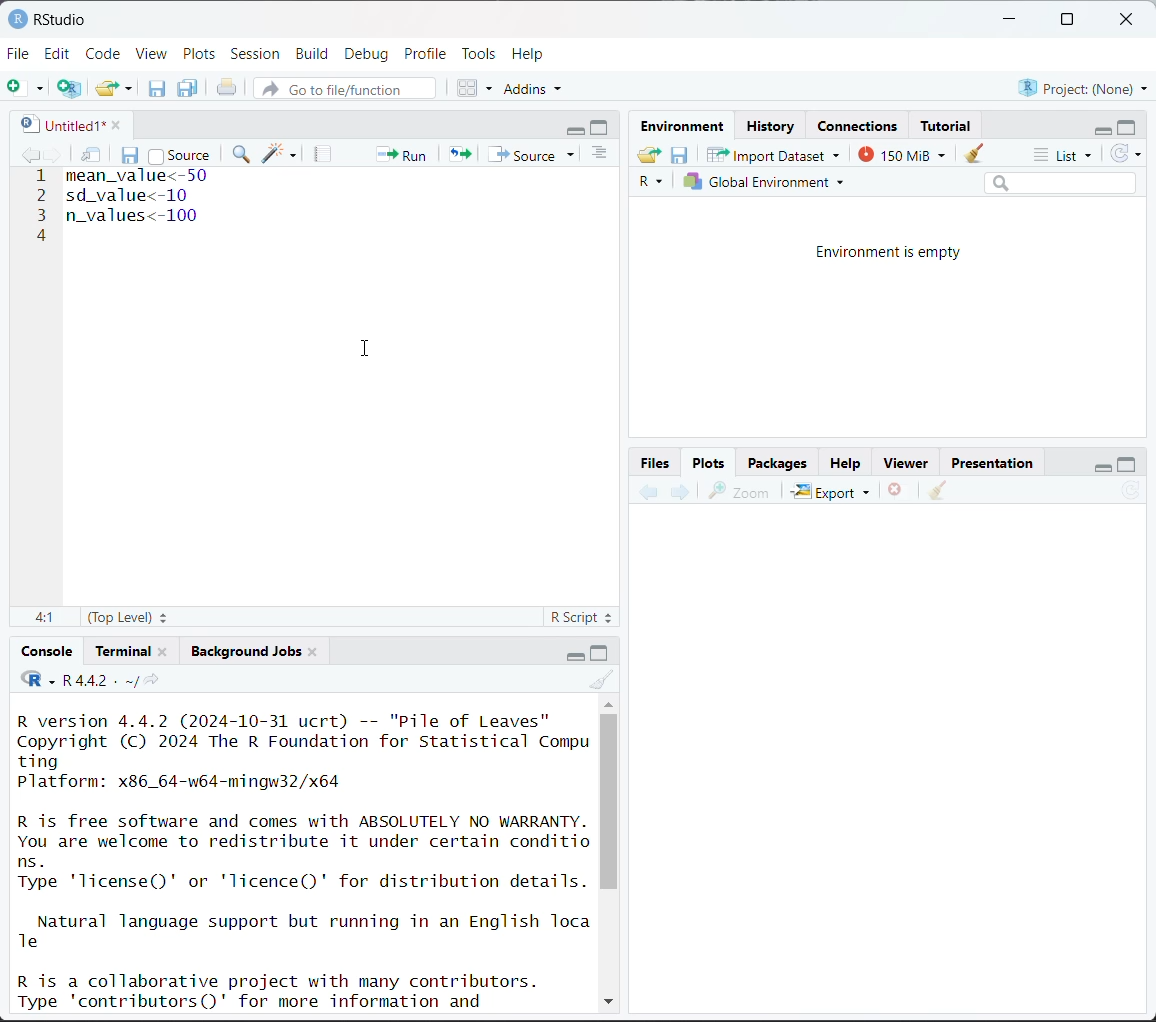 Image resolution: width=1156 pixels, height=1022 pixels. I want to click on code, so click(37, 680).